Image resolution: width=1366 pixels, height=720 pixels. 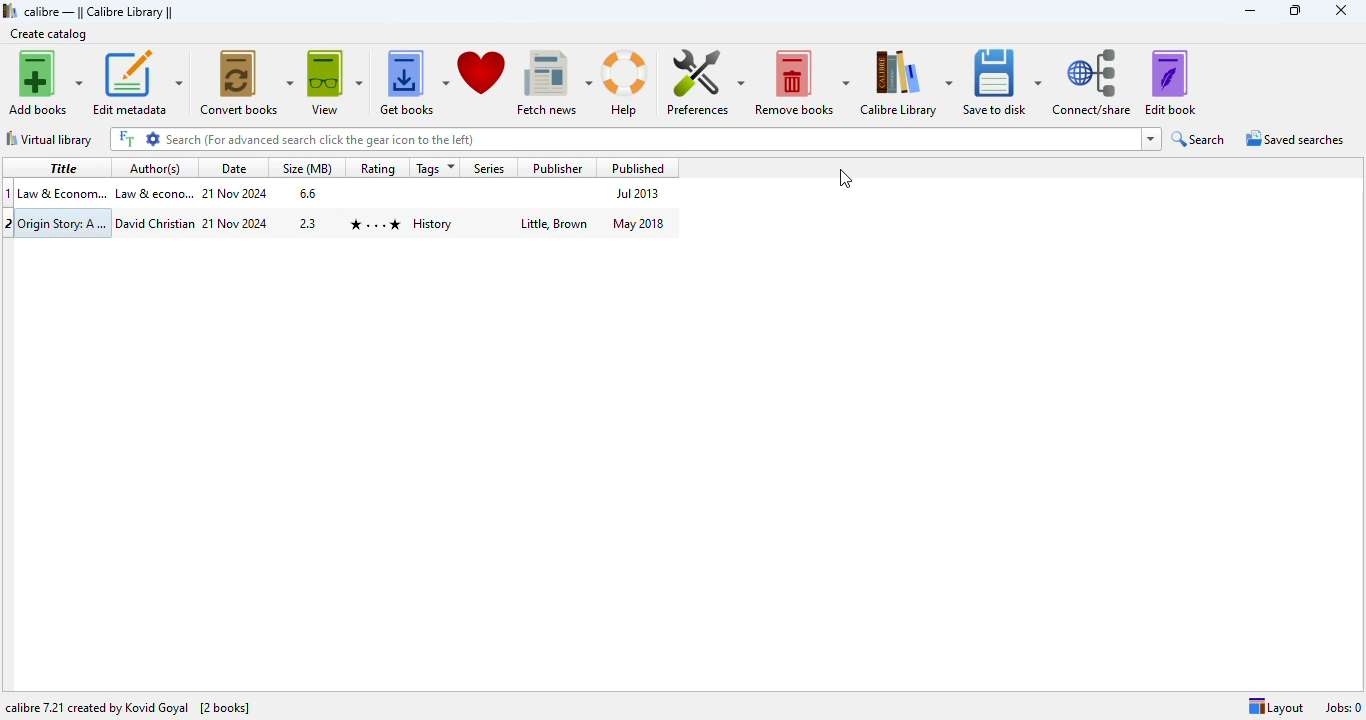 What do you see at coordinates (46, 84) in the screenshot?
I see `add books` at bounding box center [46, 84].